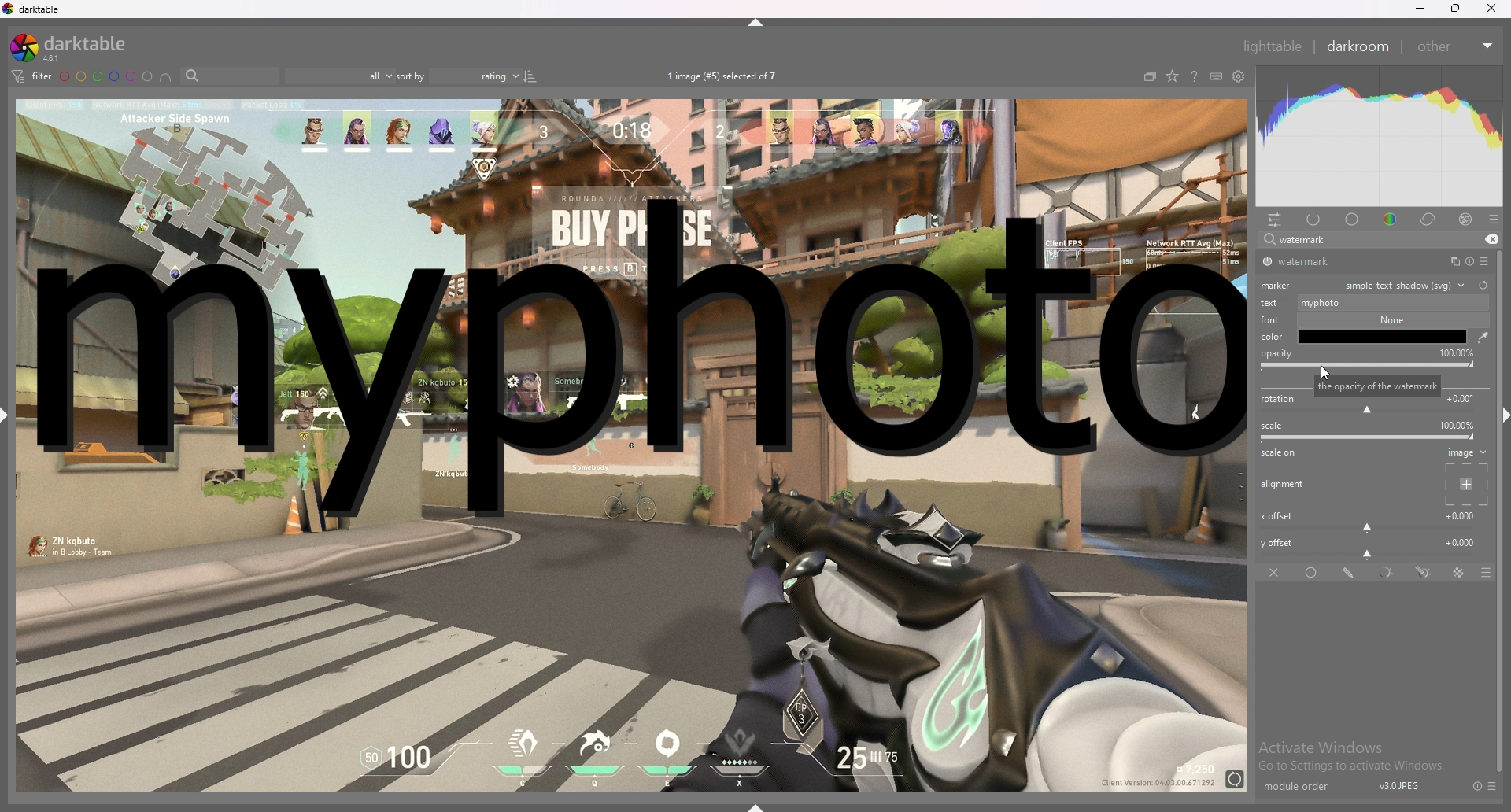 This screenshot has width=1511, height=812. What do you see at coordinates (758, 22) in the screenshot?
I see `hide` at bounding box center [758, 22].